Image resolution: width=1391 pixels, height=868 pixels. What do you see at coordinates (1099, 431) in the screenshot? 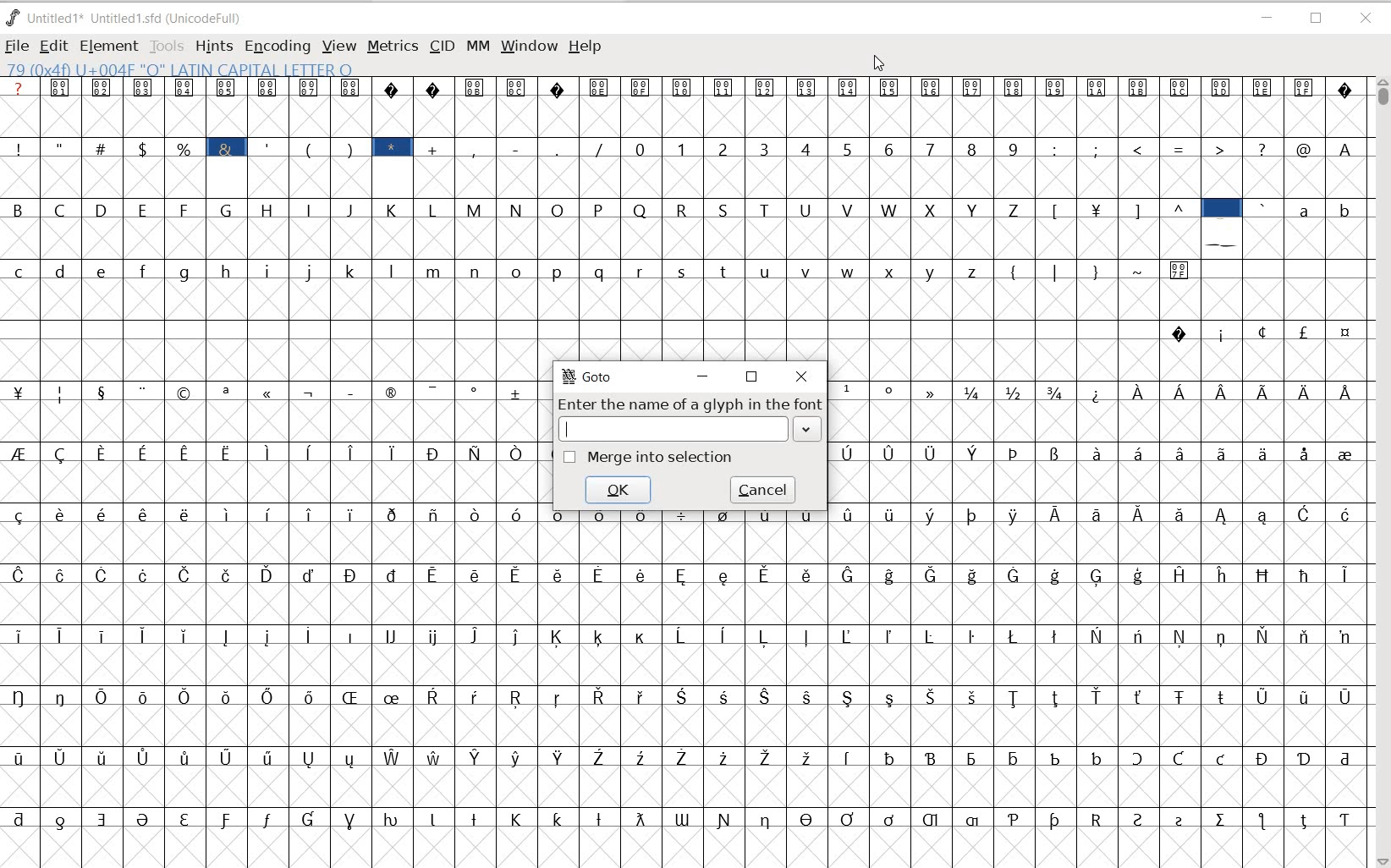
I see `GLYPHY CHARACTERS & NUMBERS` at bounding box center [1099, 431].